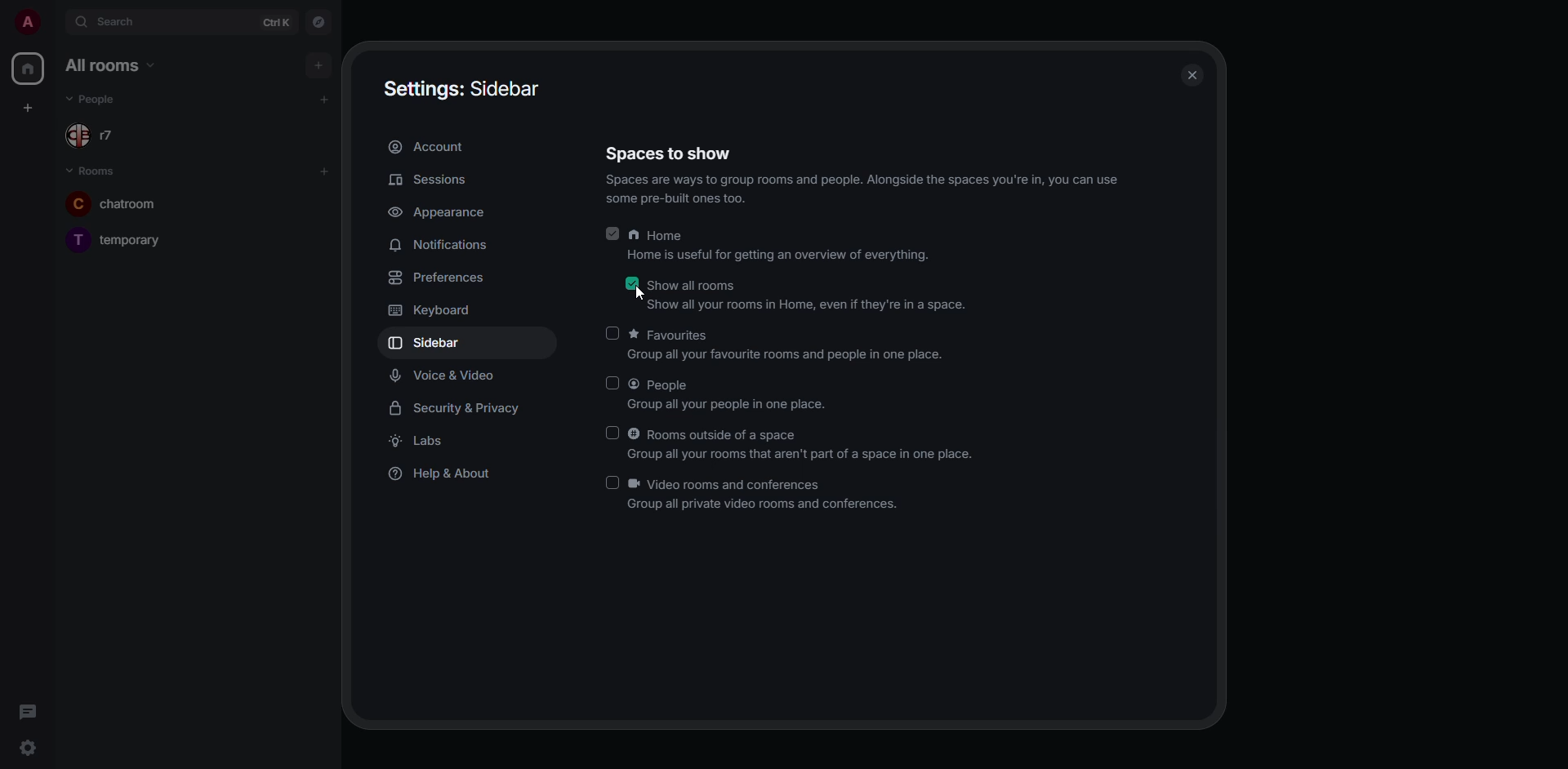 The height and width of the screenshot is (769, 1568). What do you see at coordinates (806, 442) in the screenshot?
I see `© Rooms outside of a space
Group all your rooms that aren't part of a space in one place.` at bounding box center [806, 442].